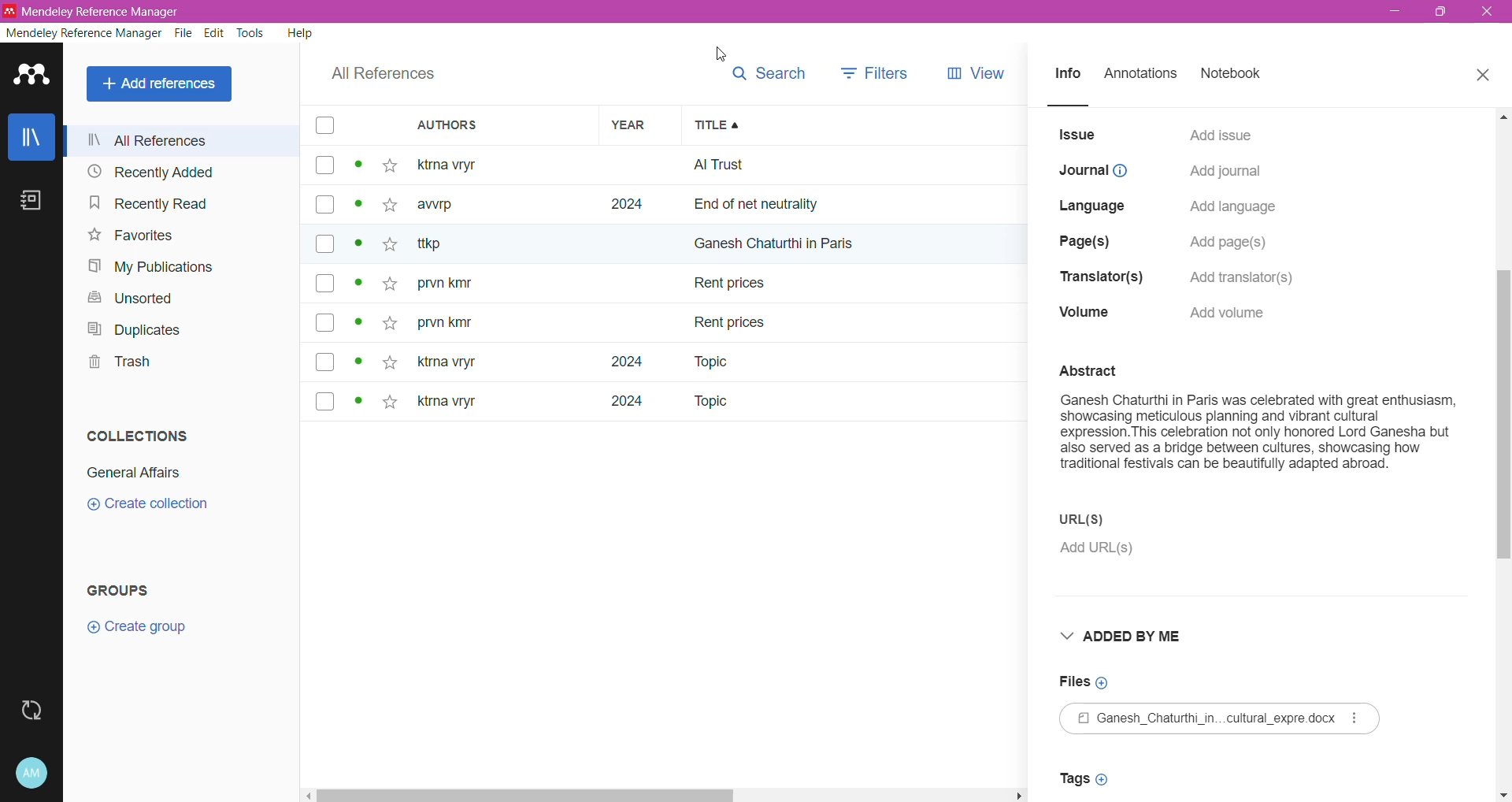 The height and width of the screenshot is (802, 1512). What do you see at coordinates (1233, 313) in the screenshot?
I see `Click to add volume` at bounding box center [1233, 313].